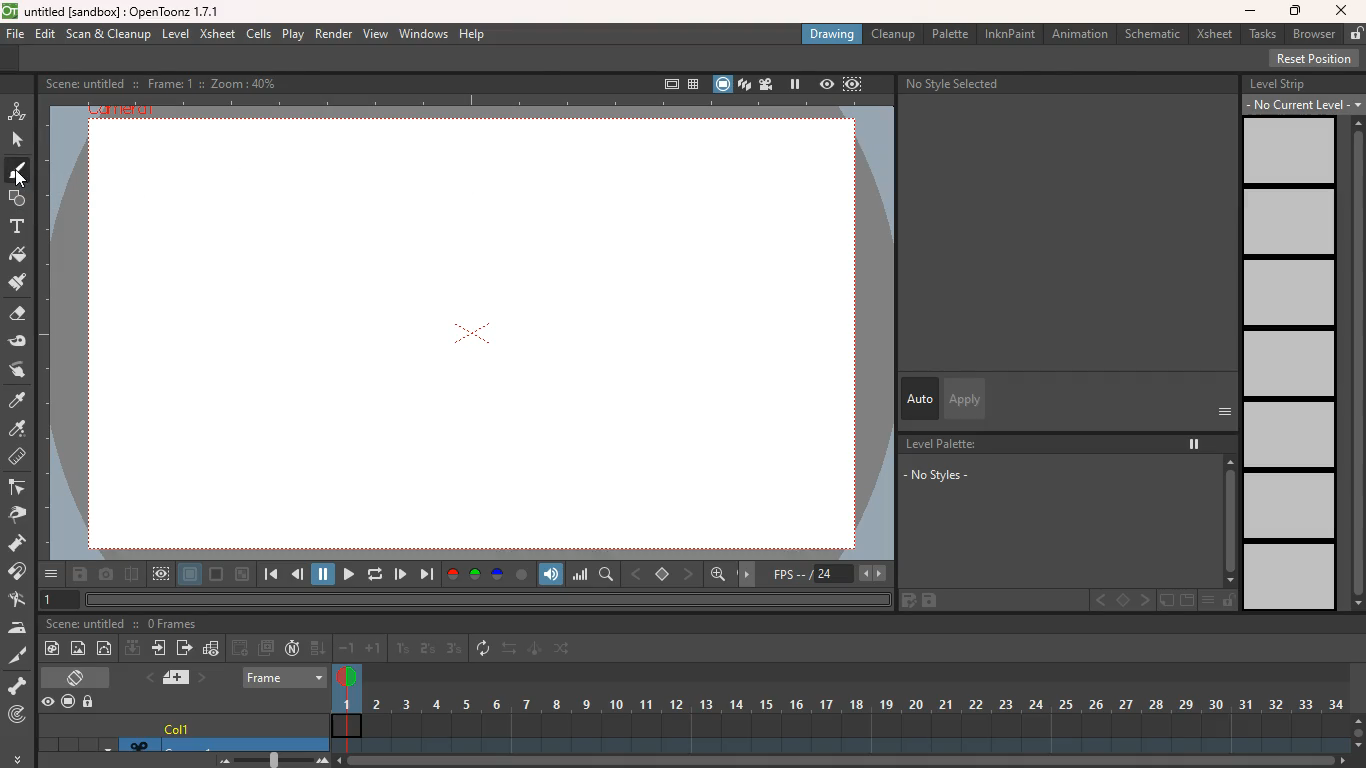 The image size is (1366, 768). What do you see at coordinates (945, 444) in the screenshot?
I see `level palette:` at bounding box center [945, 444].